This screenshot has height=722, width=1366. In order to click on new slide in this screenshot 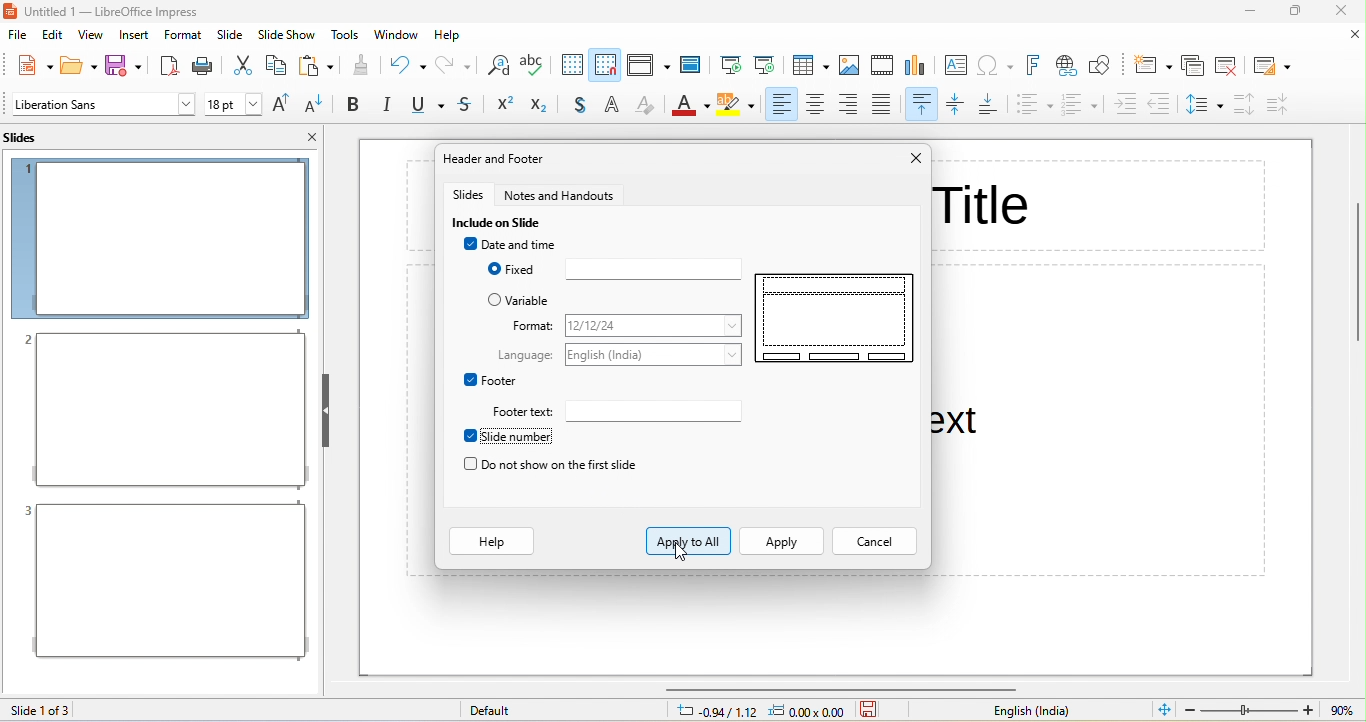, I will do `click(1151, 65)`.